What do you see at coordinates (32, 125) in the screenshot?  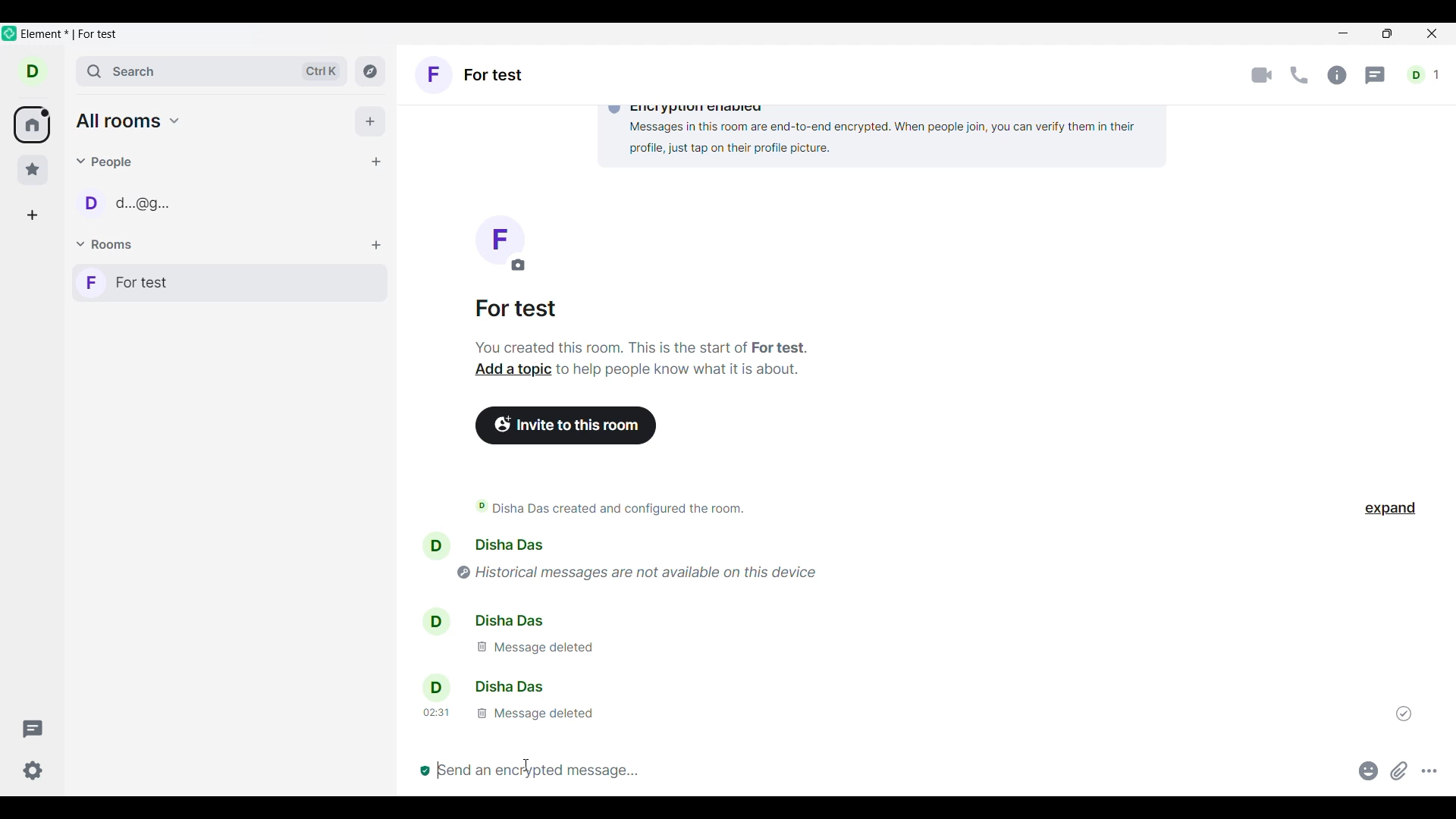 I see `All rooms` at bounding box center [32, 125].